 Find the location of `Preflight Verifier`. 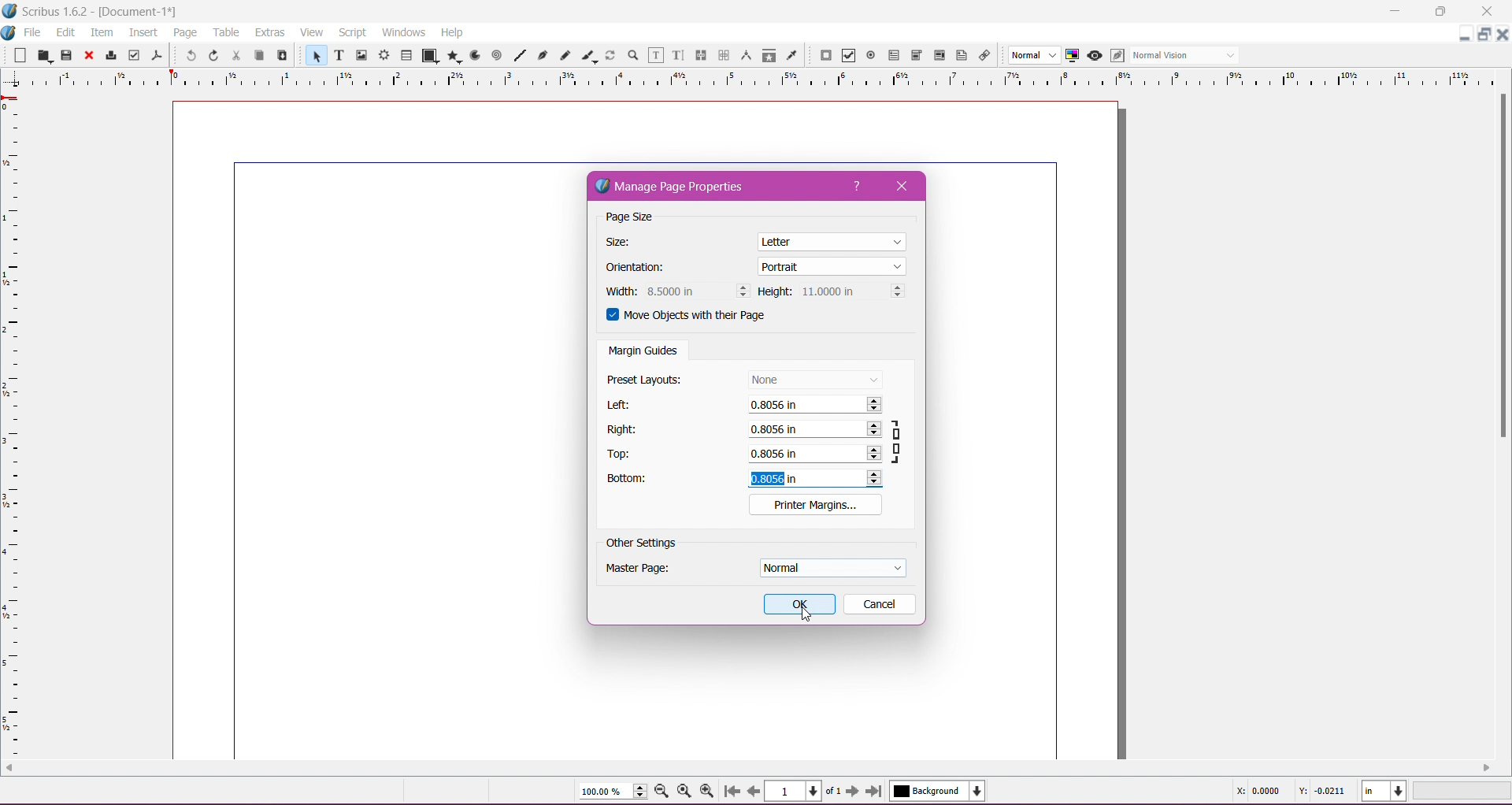

Preflight Verifier is located at coordinates (134, 55).